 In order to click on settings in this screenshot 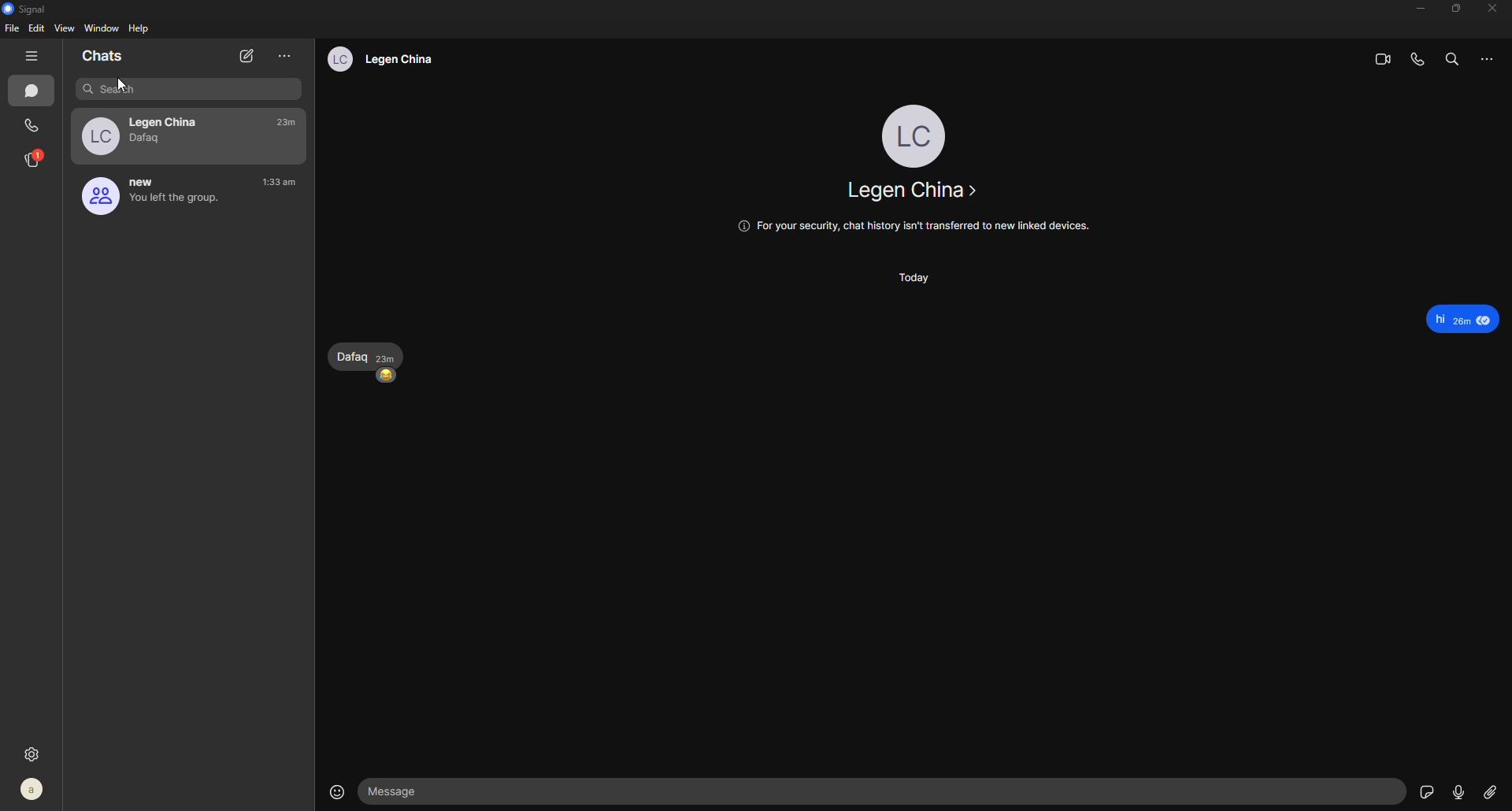, I will do `click(31, 753)`.